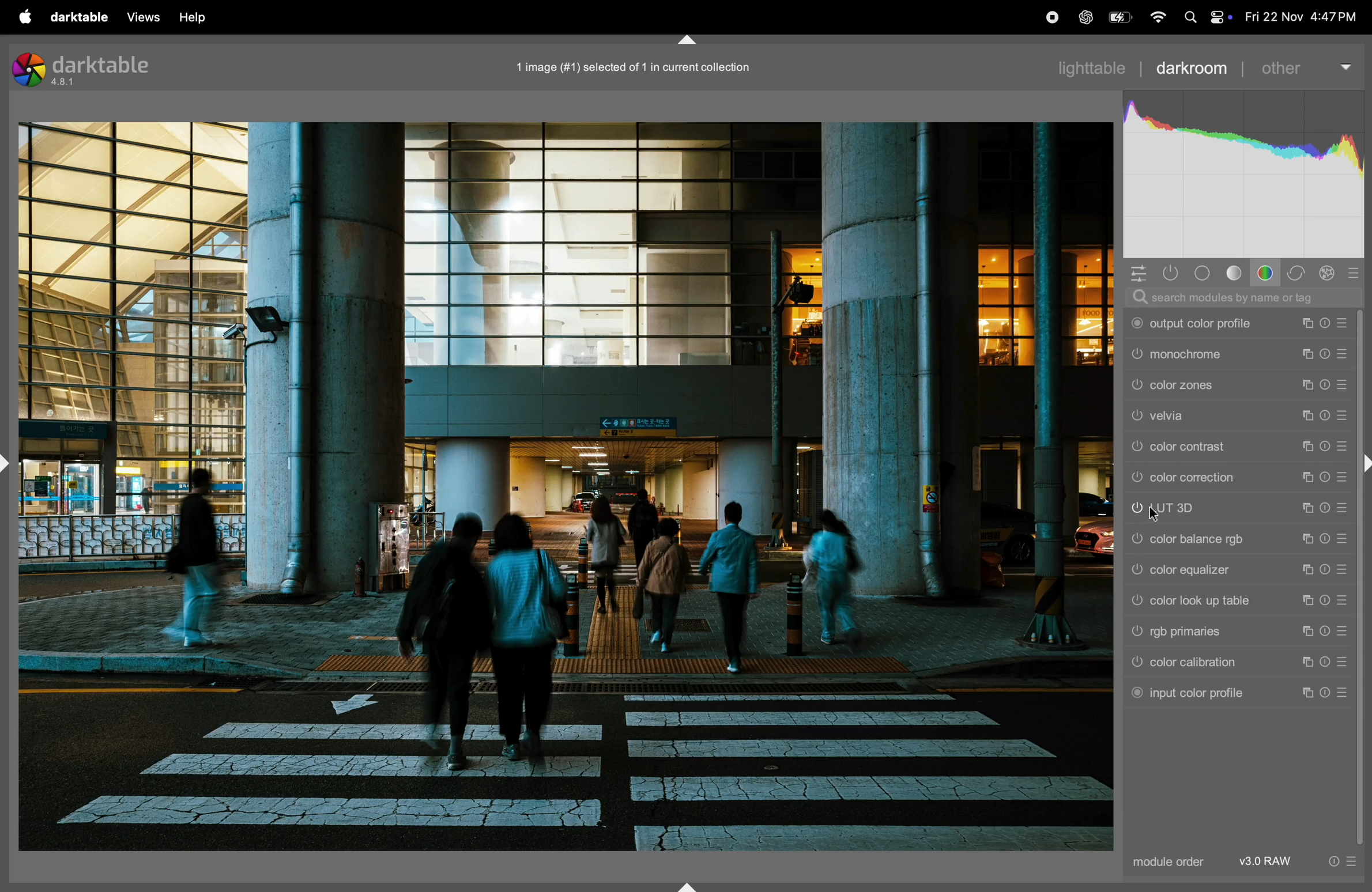  Describe the element at coordinates (1137, 477) in the screenshot. I see `color correction switched off` at that location.